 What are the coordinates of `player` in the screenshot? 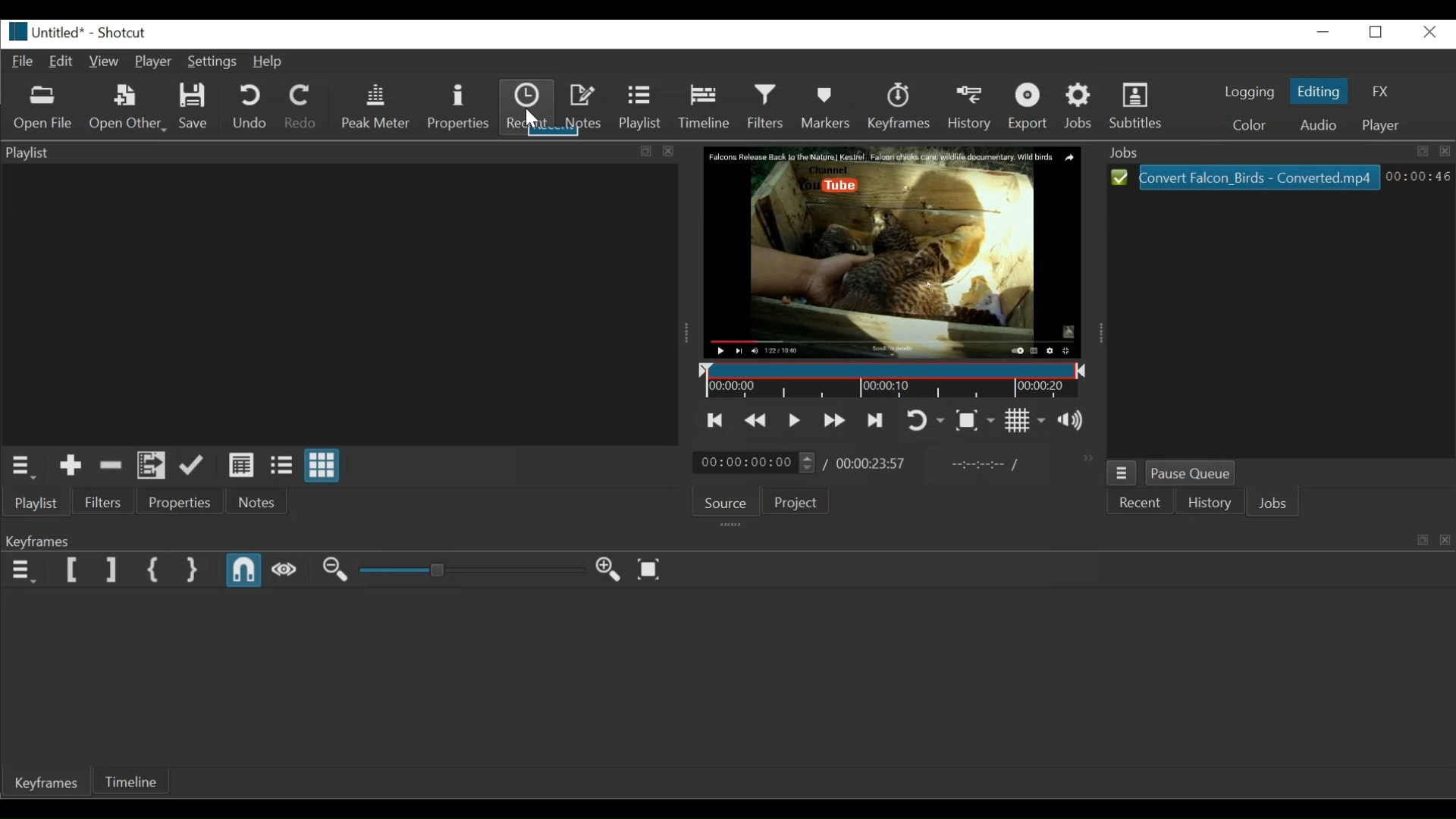 It's located at (1385, 127).